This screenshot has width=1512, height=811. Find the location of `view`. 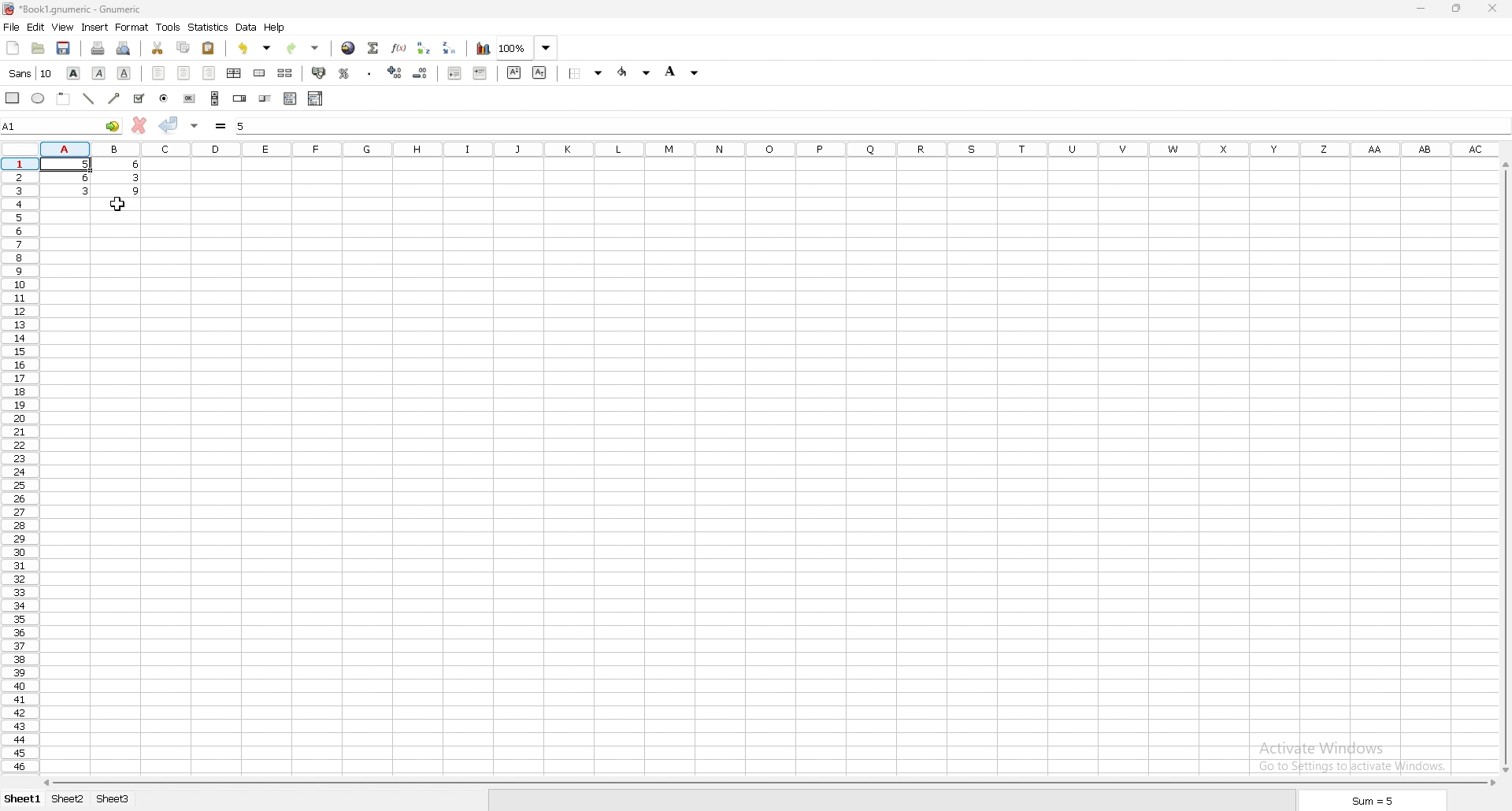

view is located at coordinates (63, 28).